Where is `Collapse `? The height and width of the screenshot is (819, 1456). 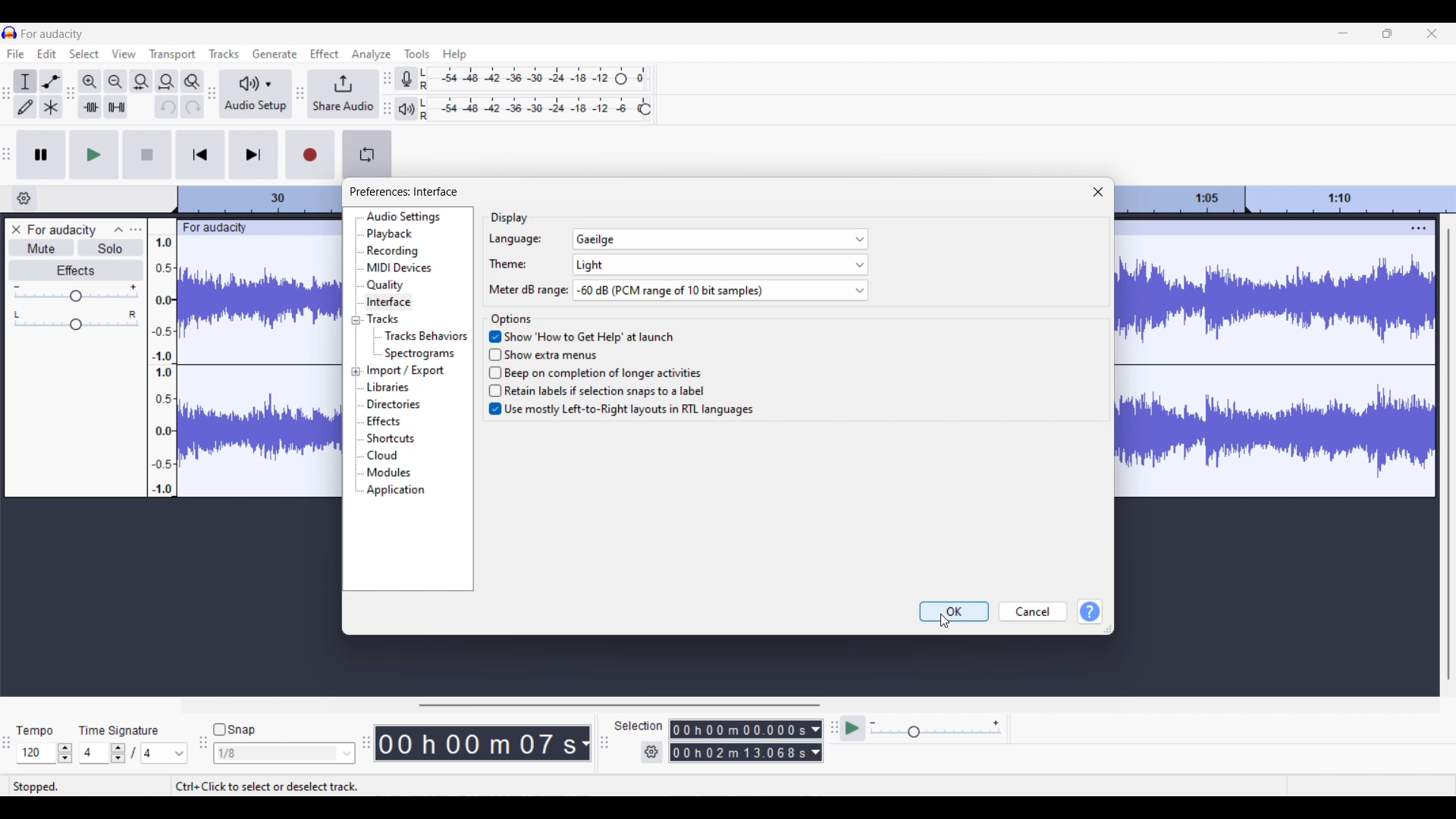
Collapse  is located at coordinates (118, 230).